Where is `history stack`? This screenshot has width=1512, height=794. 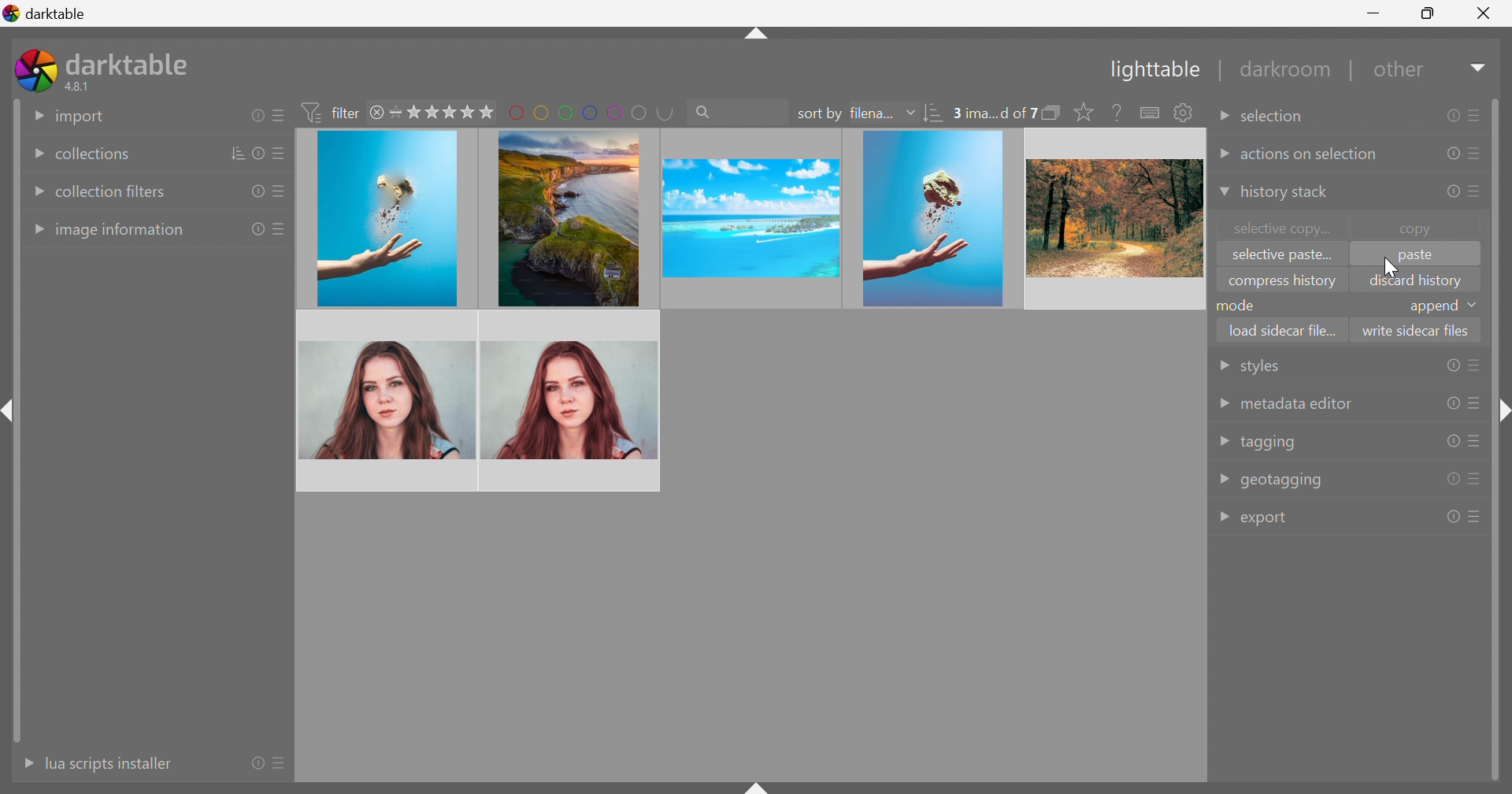
history stack is located at coordinates (1284, 193).